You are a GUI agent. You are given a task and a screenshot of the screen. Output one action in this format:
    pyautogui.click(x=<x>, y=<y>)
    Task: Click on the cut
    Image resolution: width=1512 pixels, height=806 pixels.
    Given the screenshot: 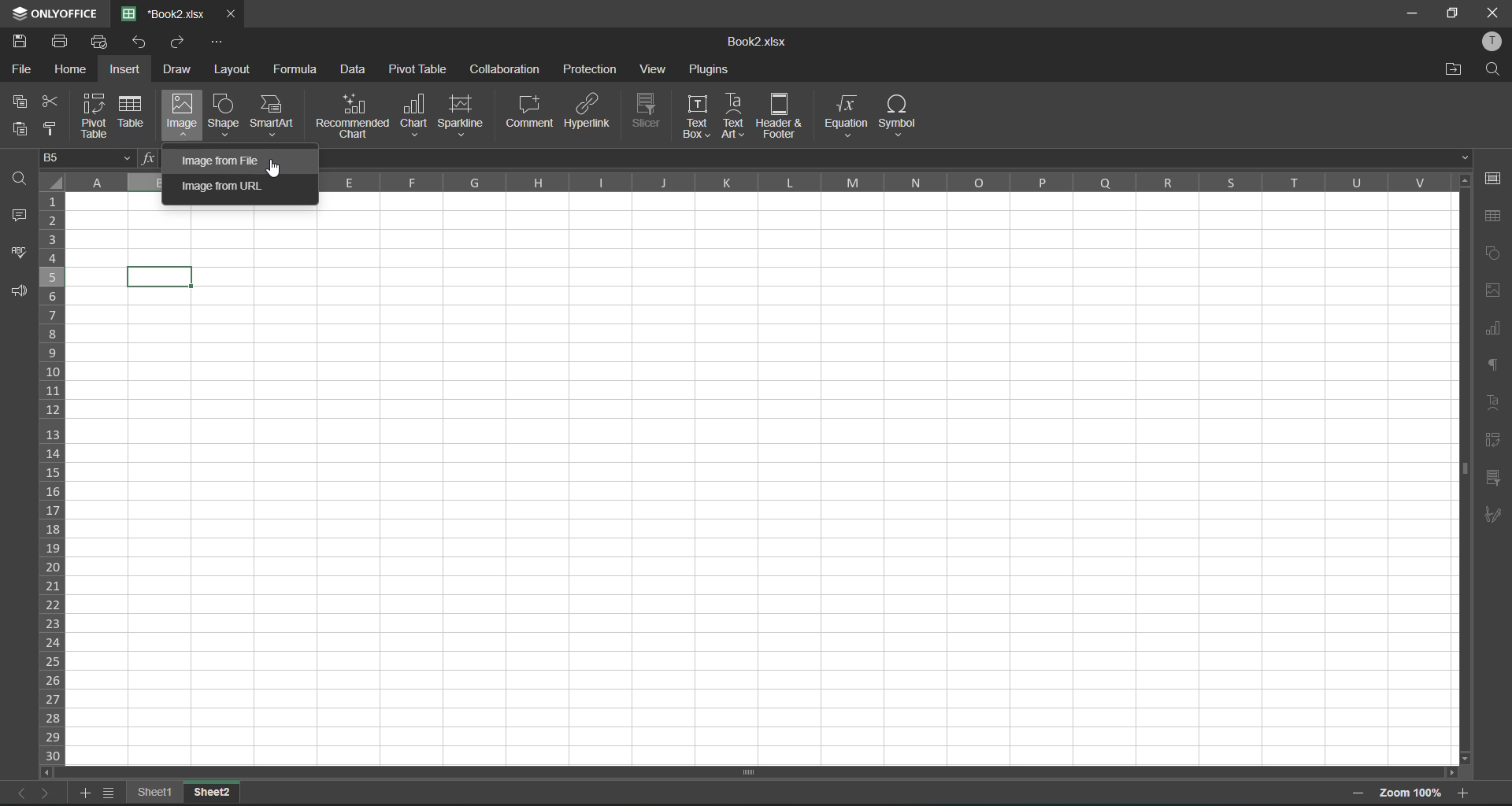 What is the action you would take?
    pyautogui.click(x=54, y=102)
    